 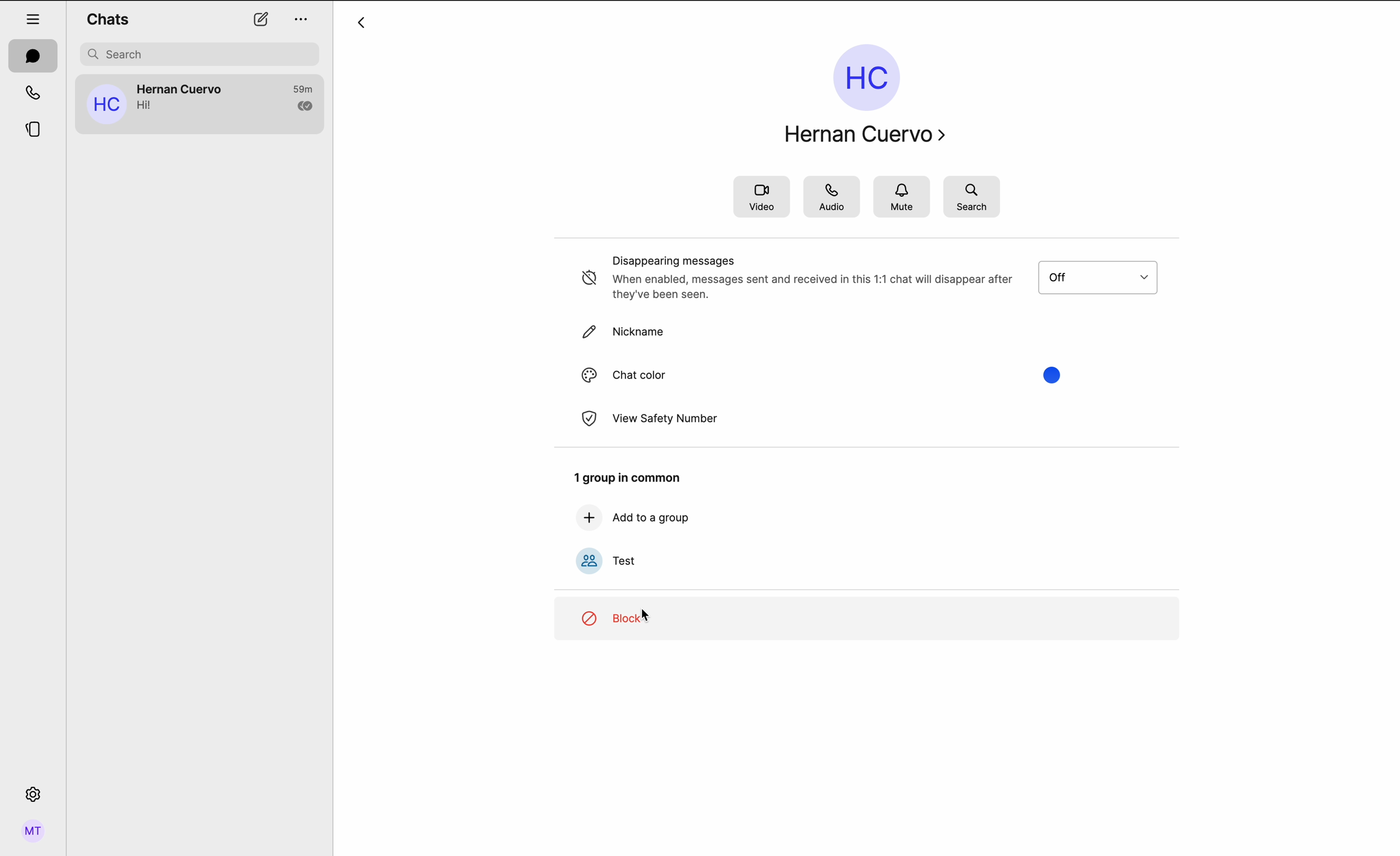 I want to click on view safety number, so click(x=648, y=418).